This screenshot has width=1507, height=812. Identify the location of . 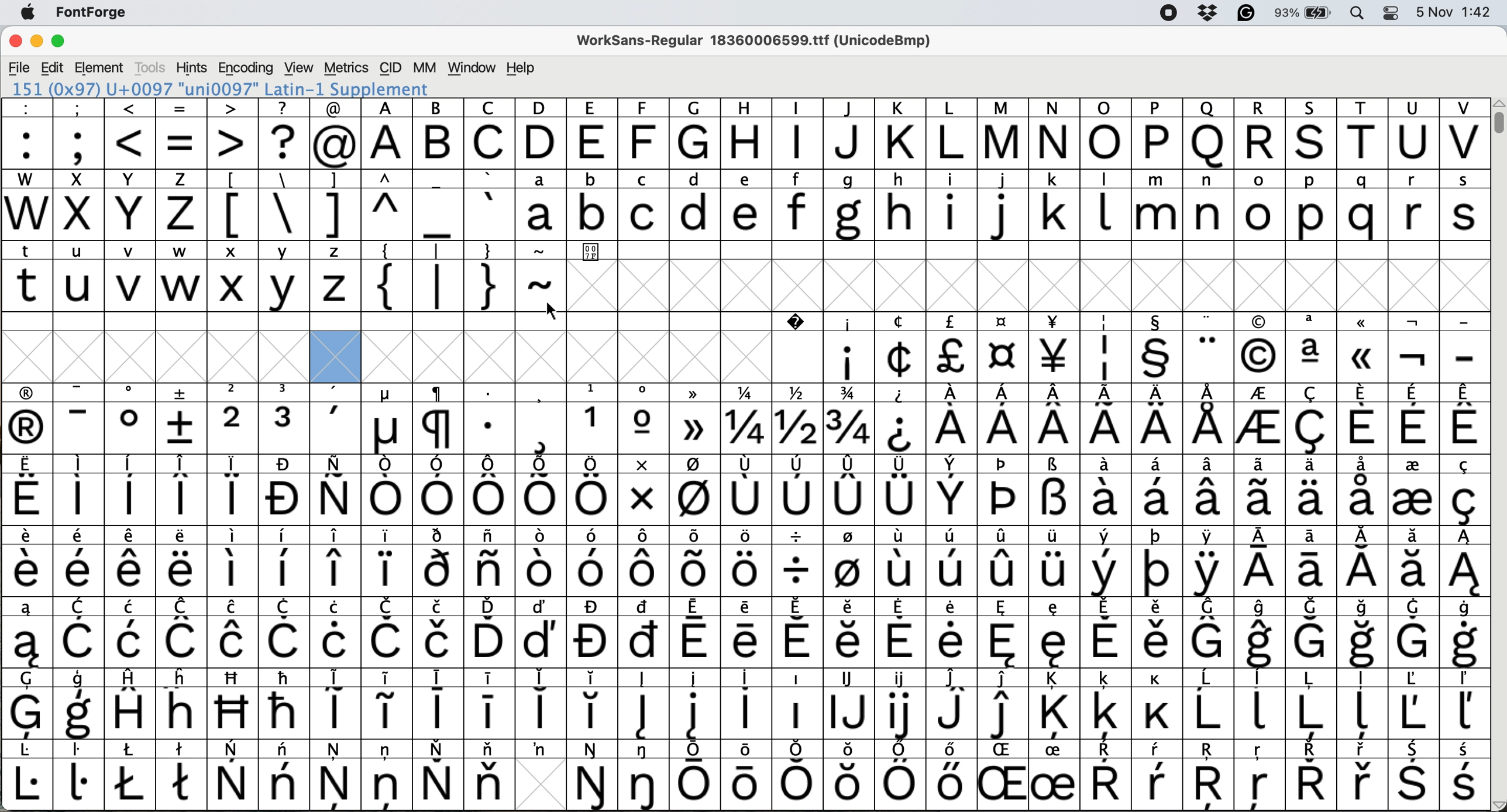
(1006, 775).